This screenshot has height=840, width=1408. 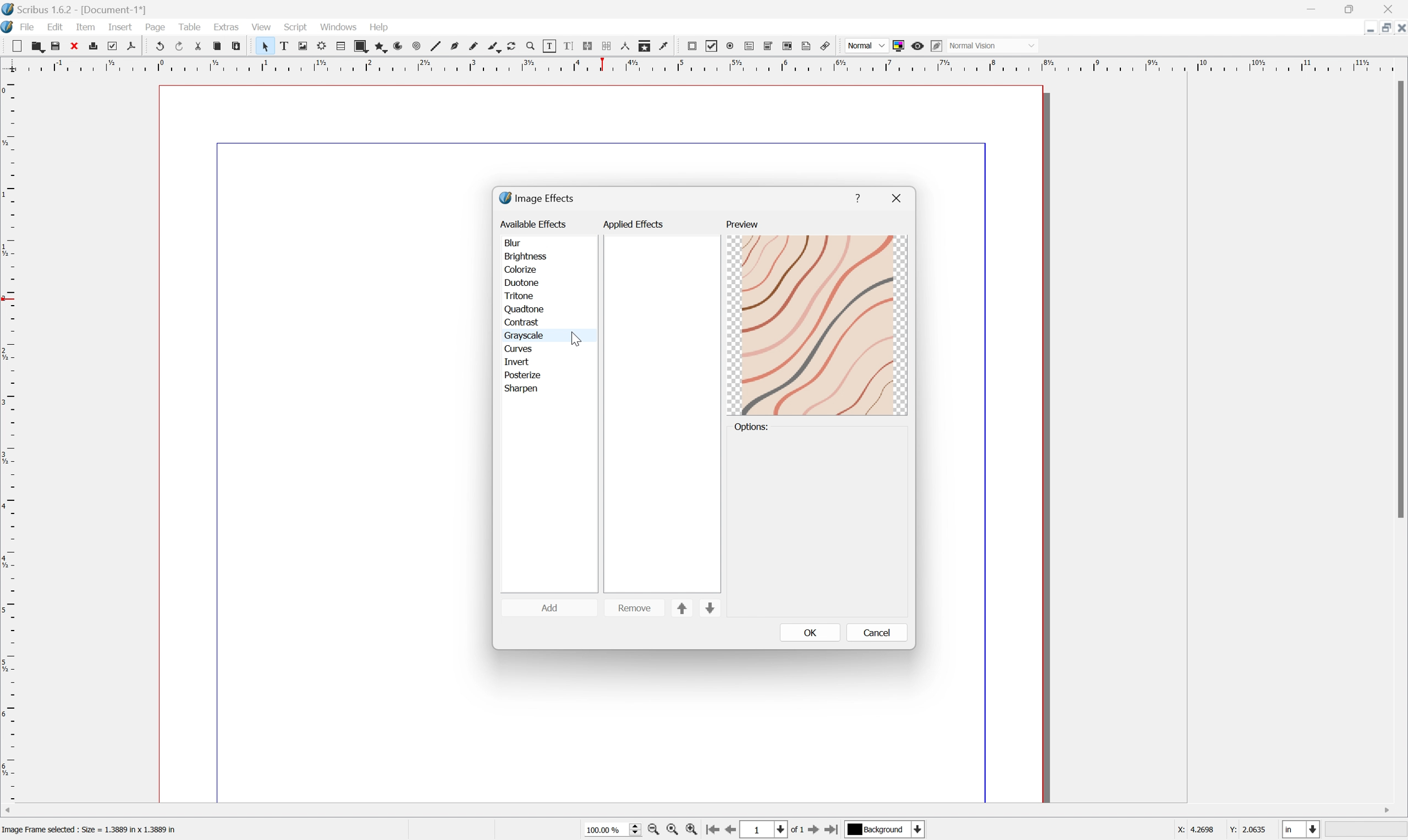 What do you see at coordinates (751, 44) in the screenshot?
I see `PDF text field` at bounding box center [751, 44].